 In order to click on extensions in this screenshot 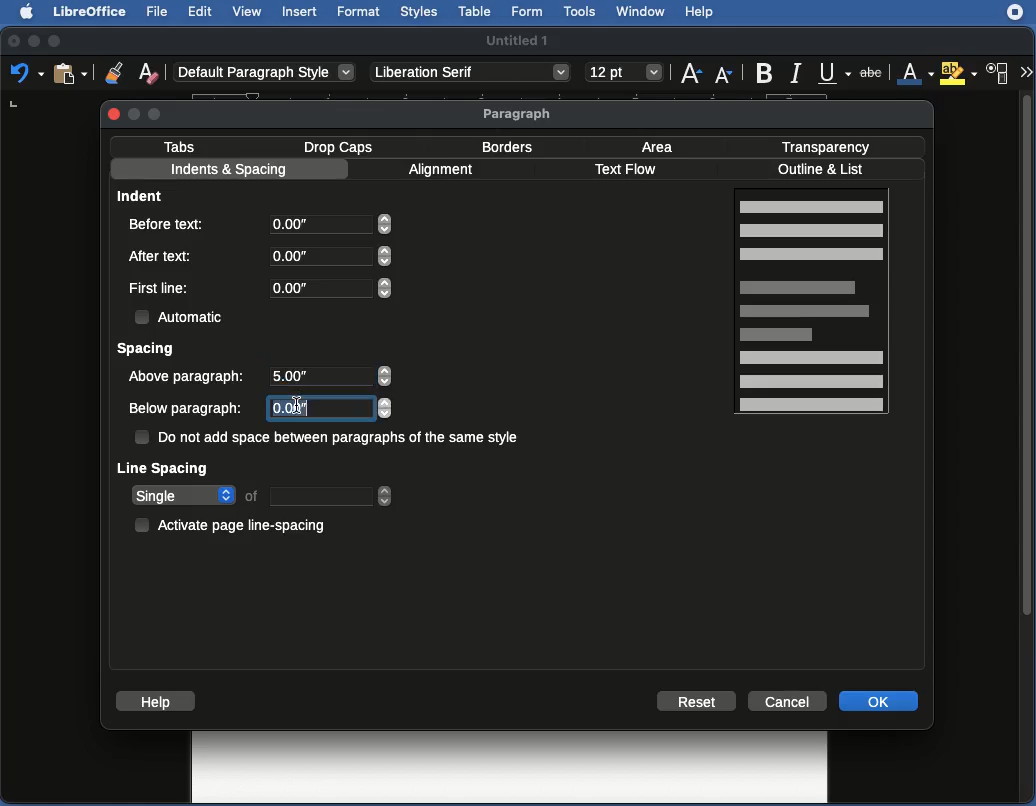, I will do `click(1017, 20)`.